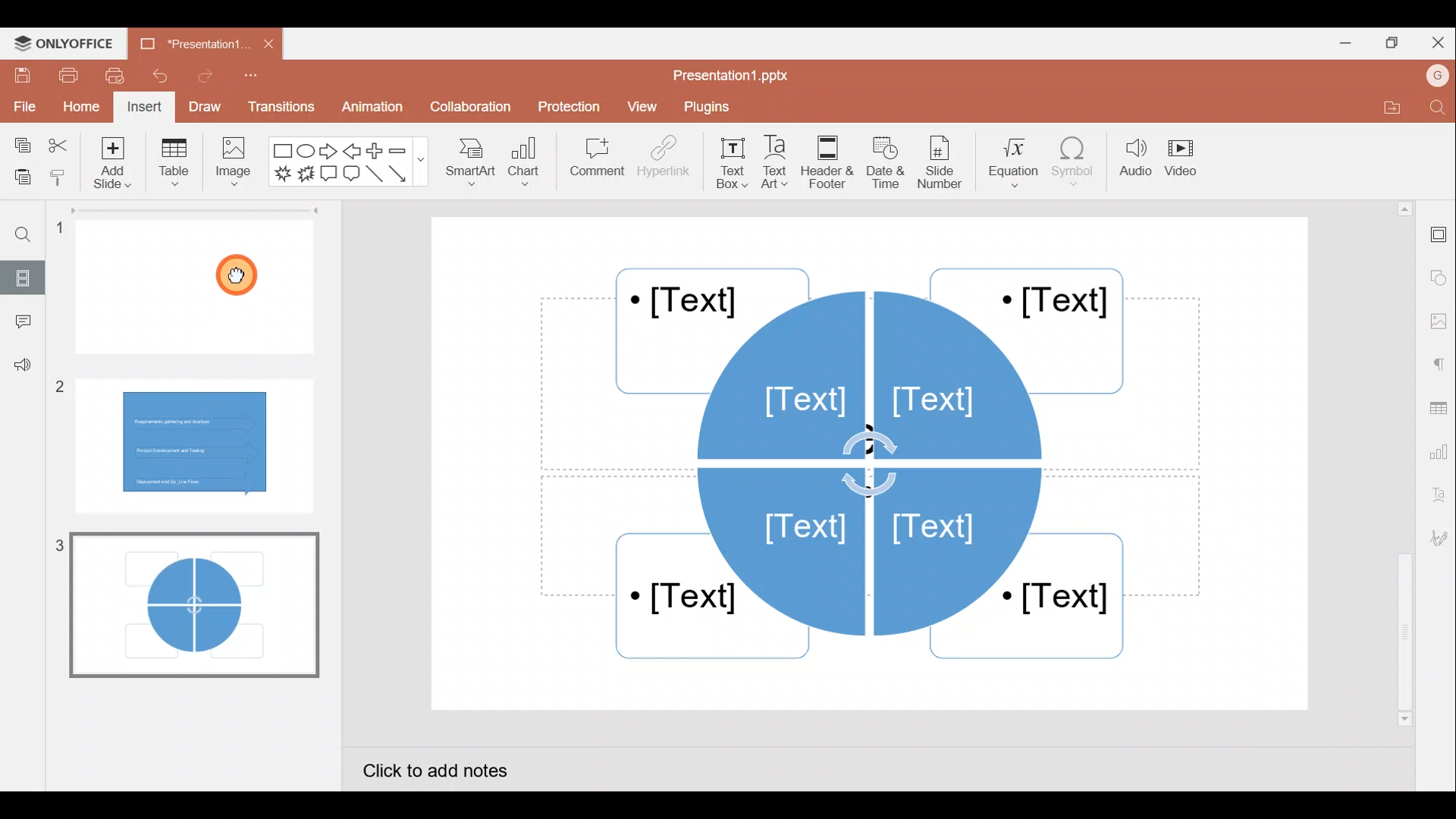 This screenshot has height=819, width=1456. Describe the element at coordinates (249, 79) in the screenshot. I see `Customize quick access toolbar` at that location.